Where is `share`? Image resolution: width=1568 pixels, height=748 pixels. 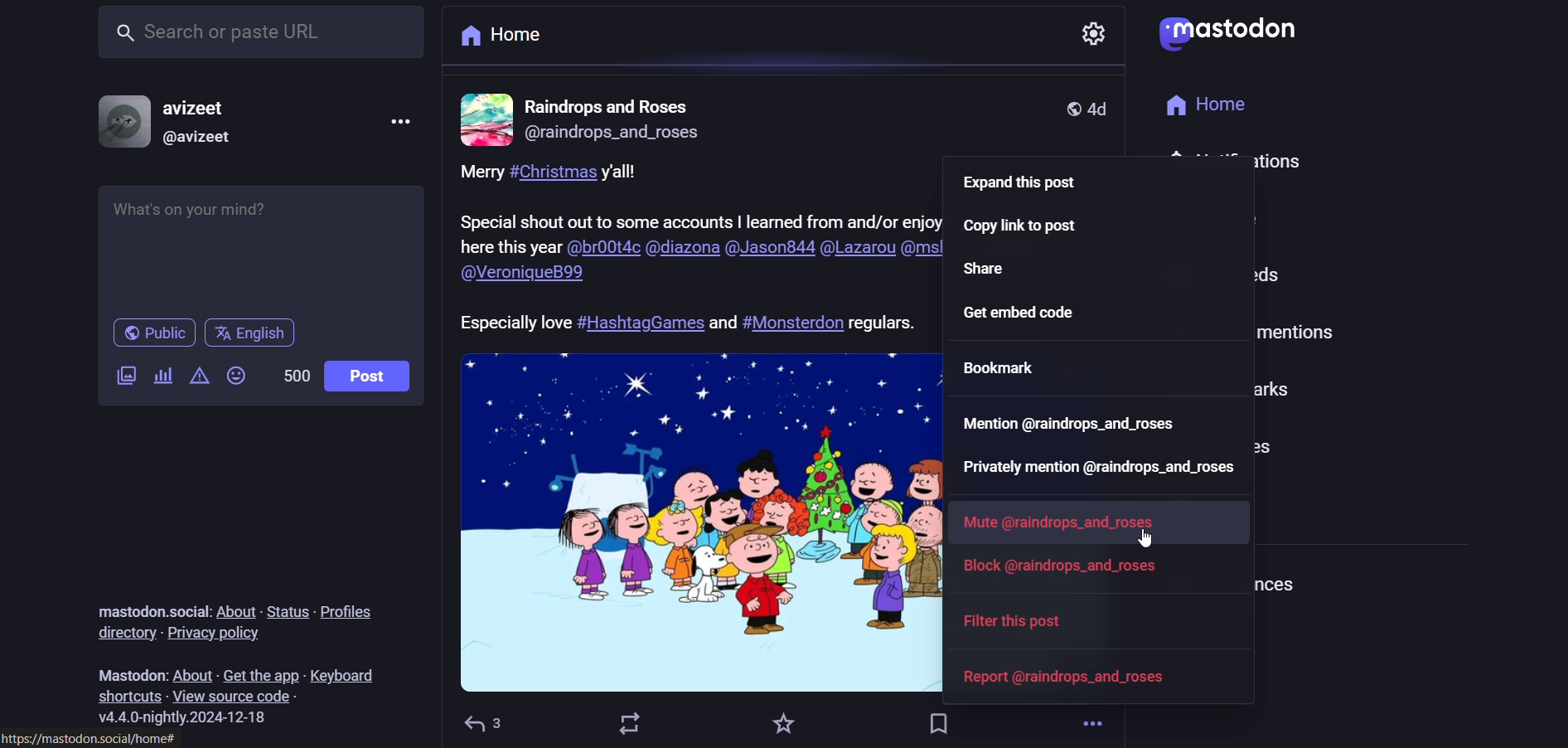
share is located at coordinates (995, 270).